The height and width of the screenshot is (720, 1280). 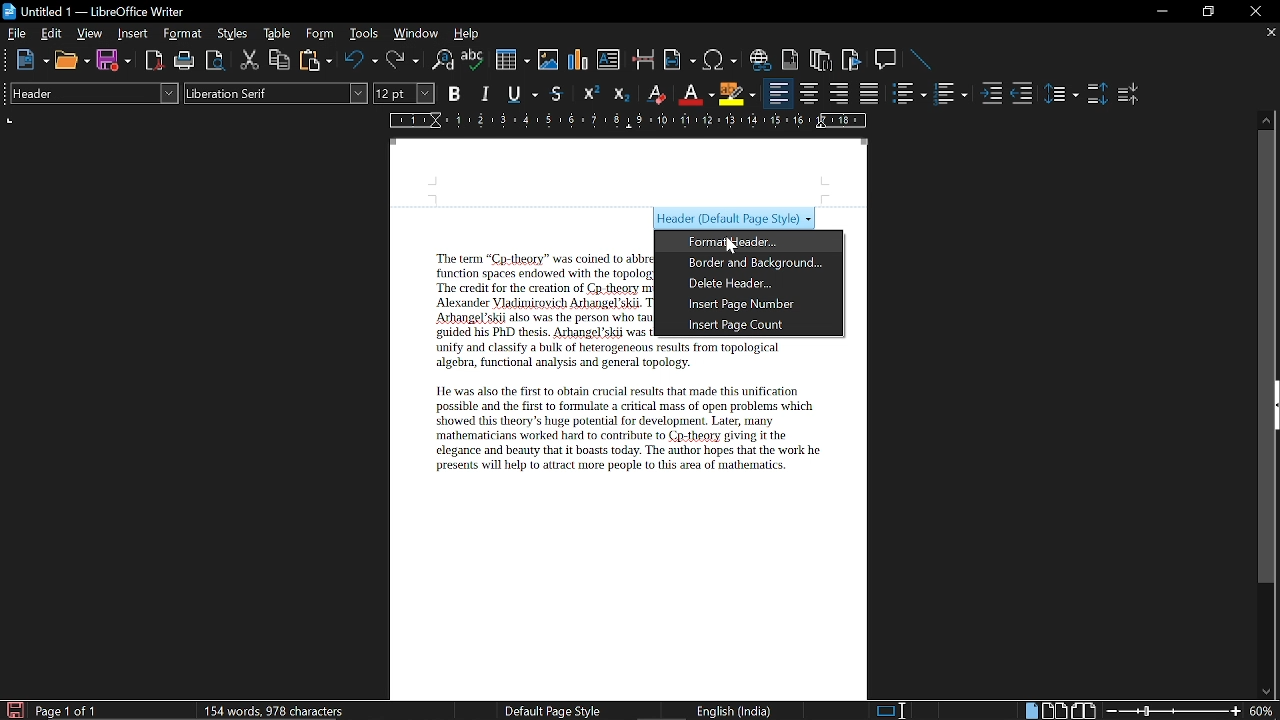 What do you see at coordinates (620, 94) in the screenshot?
I see `Subscript` at bounding box center [620, 94].